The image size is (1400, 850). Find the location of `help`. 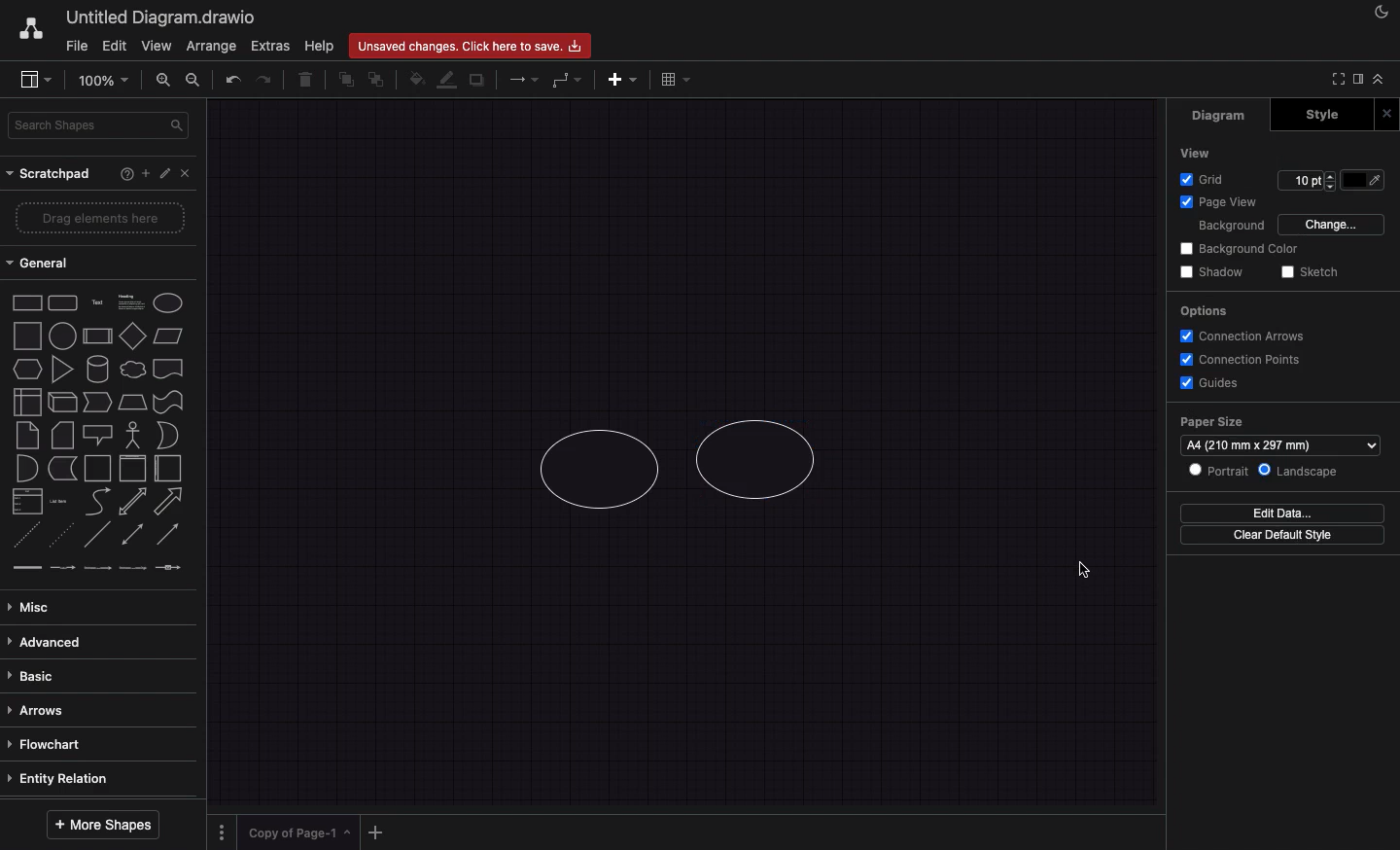

help is located at coordinates (126, 174).